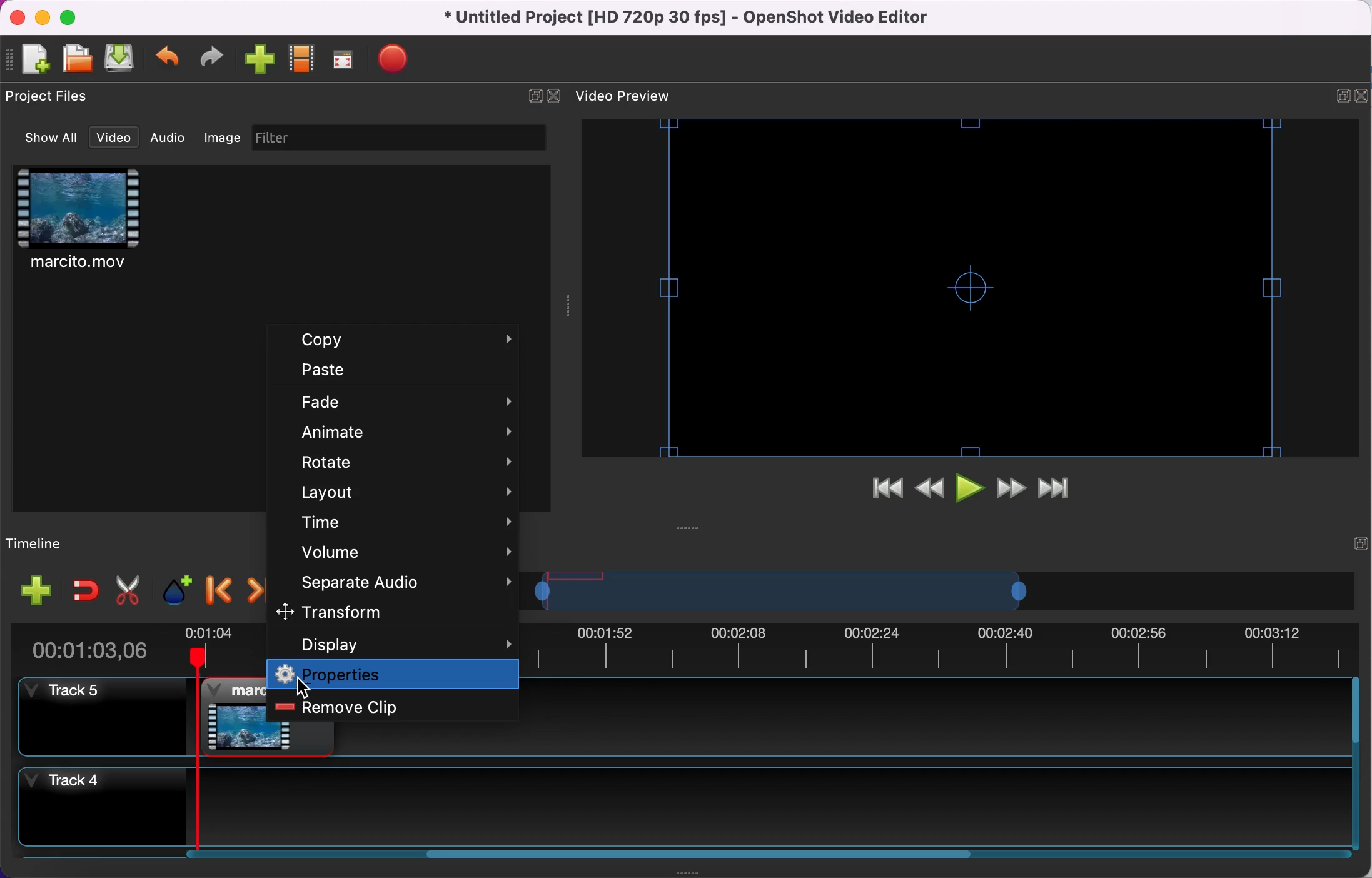 Image resolution: width=1372 pixels, height=878 pixels. Describe the element at coordinates (968, 491) in the screenshot. I see `play` at that location.